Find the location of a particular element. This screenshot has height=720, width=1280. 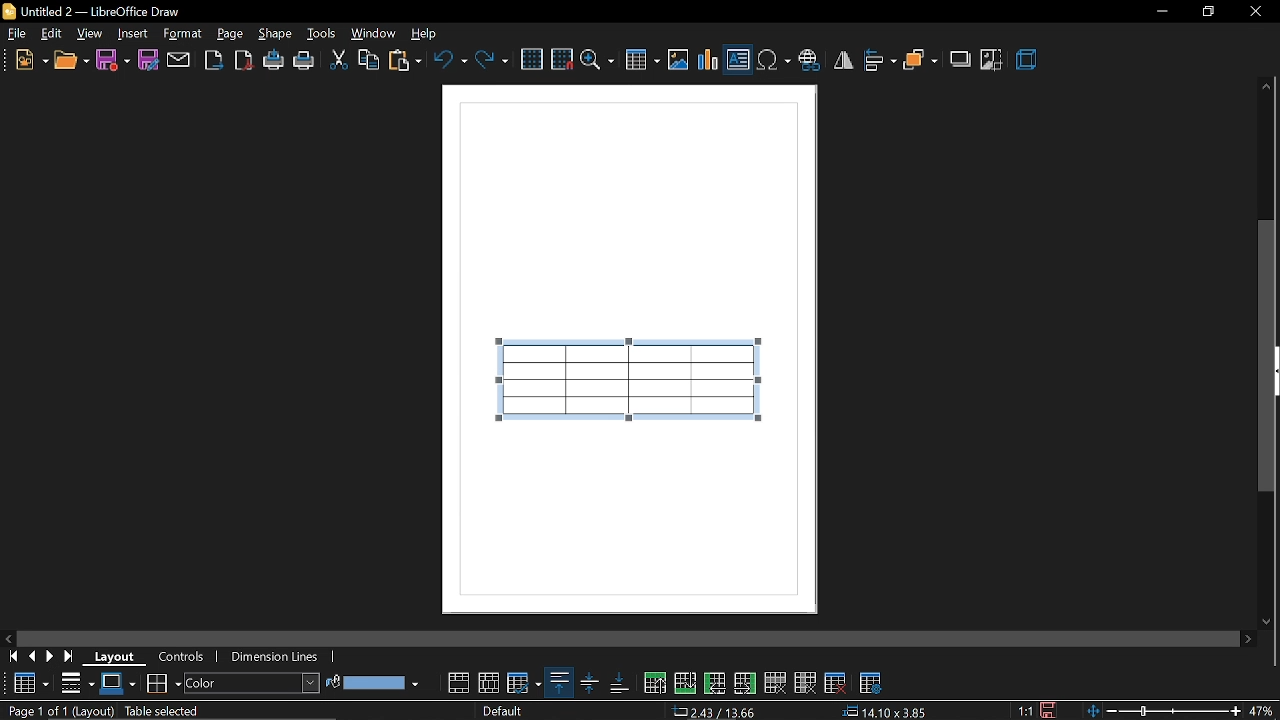

Minimize is located at coordinates (1157, 12).